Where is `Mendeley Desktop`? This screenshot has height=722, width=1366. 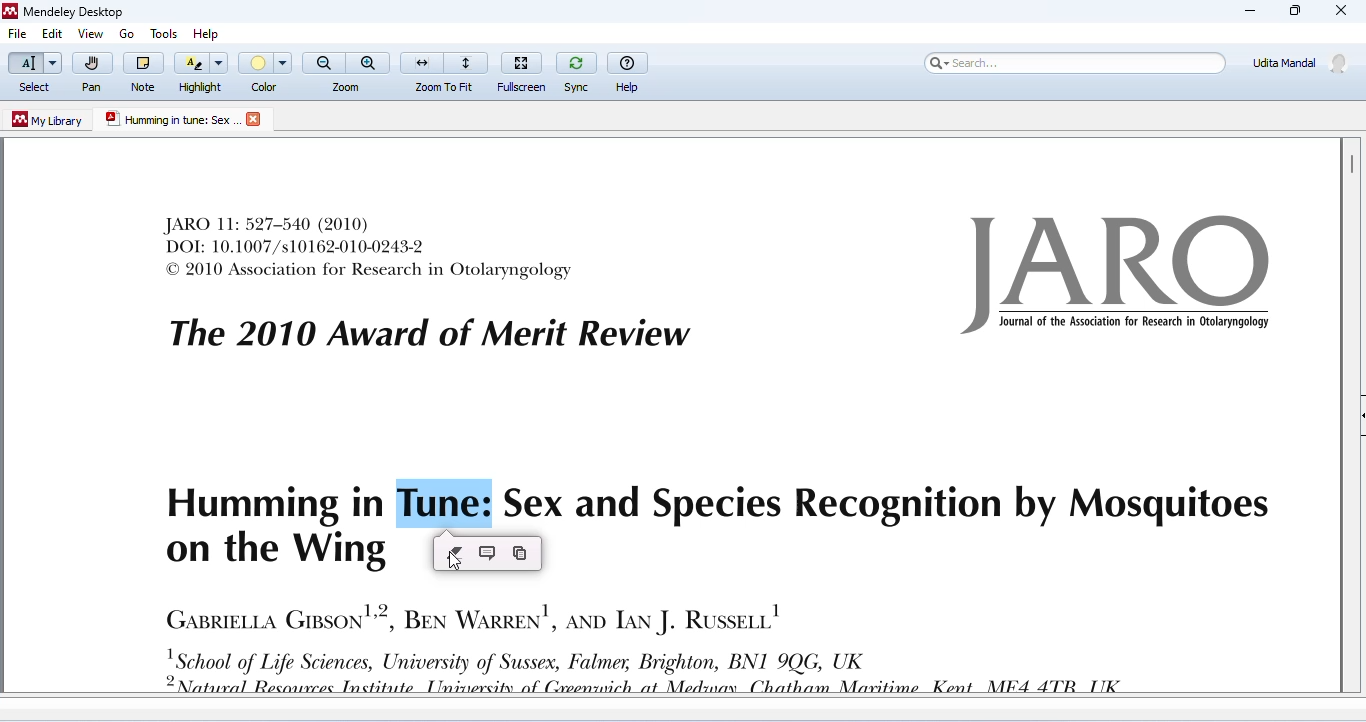 Mendeley Desktop is located at coordinates (63, 13).